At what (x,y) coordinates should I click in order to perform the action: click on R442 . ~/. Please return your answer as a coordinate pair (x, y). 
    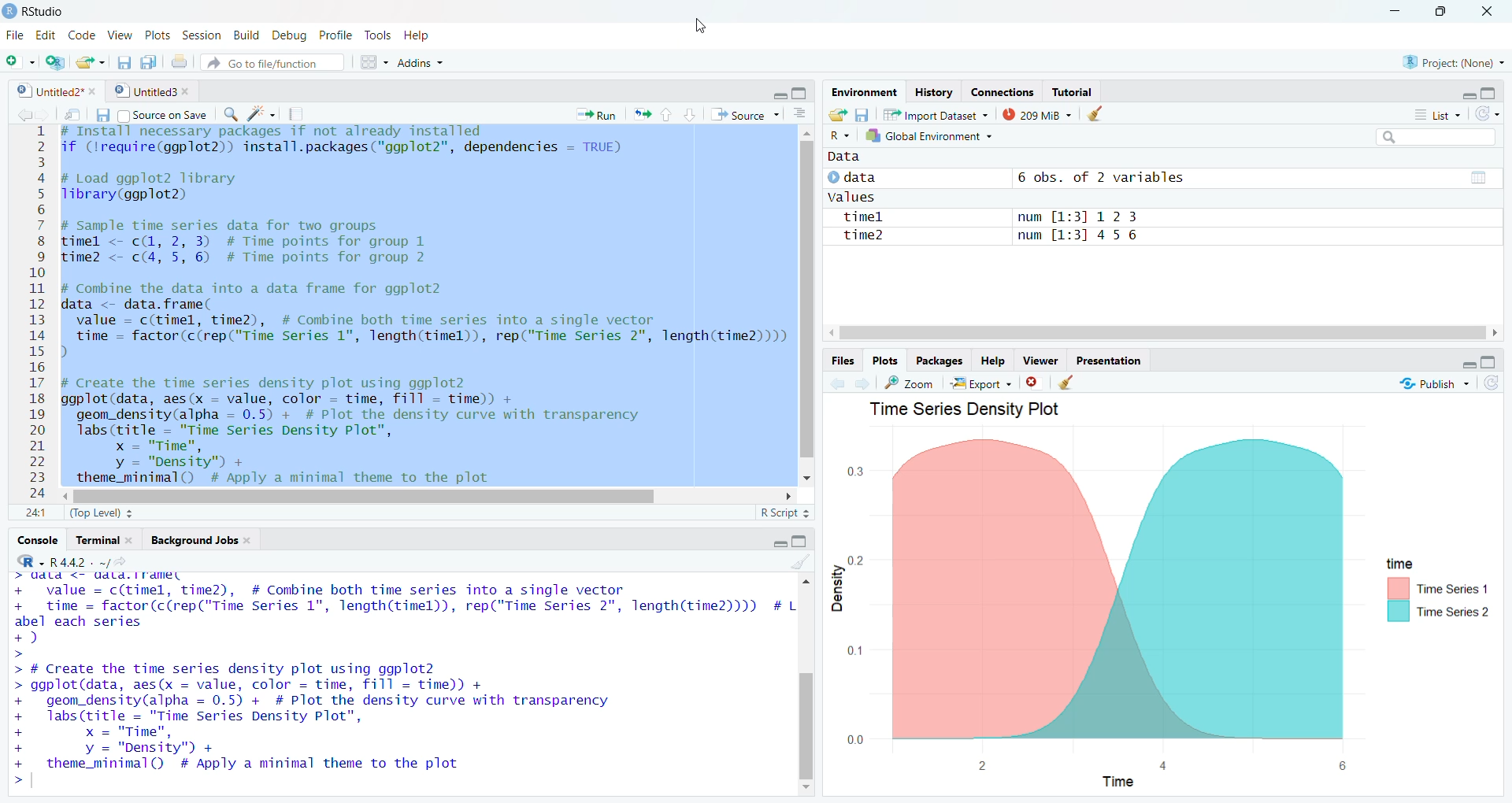
    Looking at the image, I should click on (80, 562).